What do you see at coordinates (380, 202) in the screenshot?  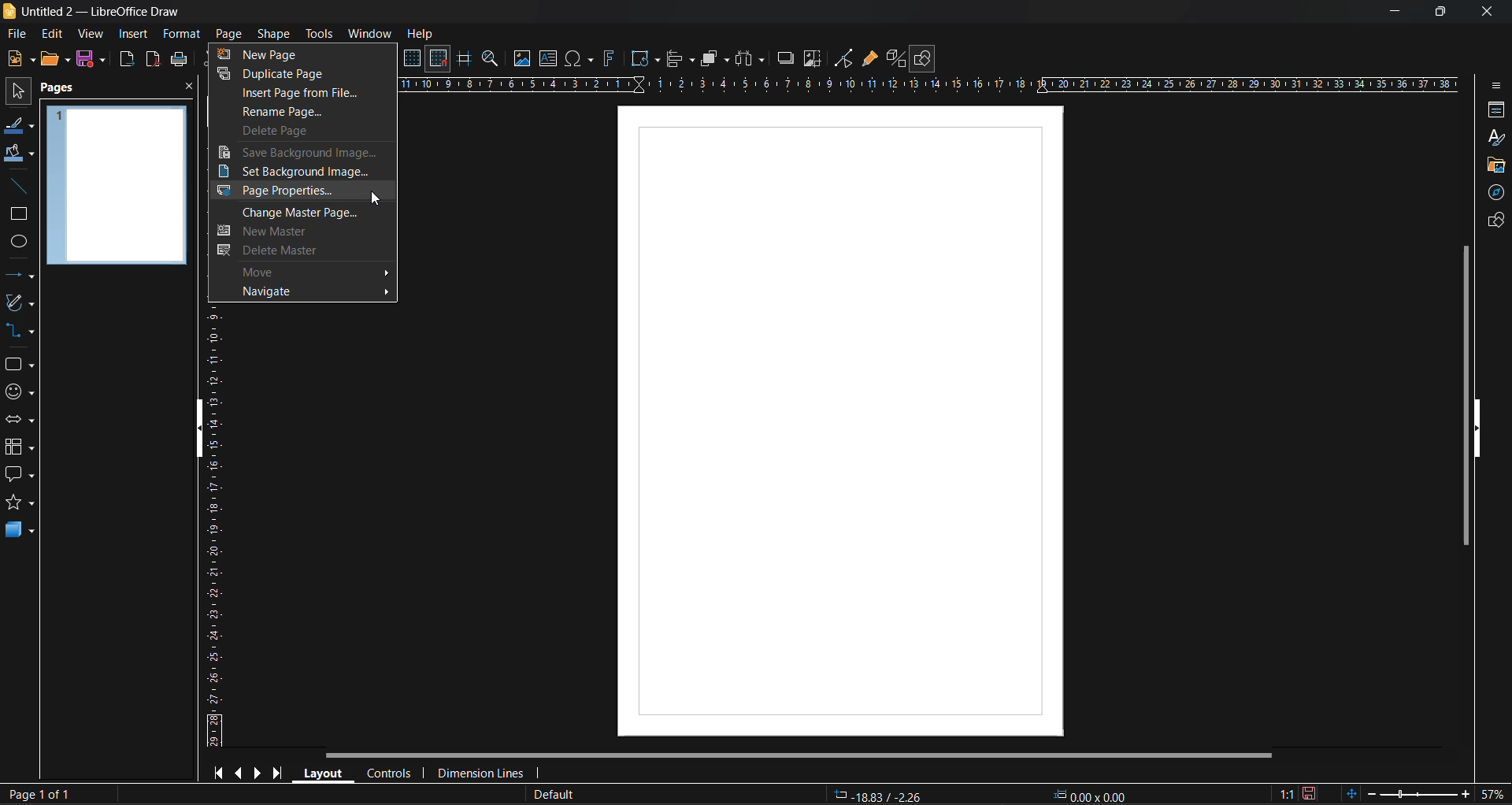 I see `cursor` at bounding box center [380, 202].